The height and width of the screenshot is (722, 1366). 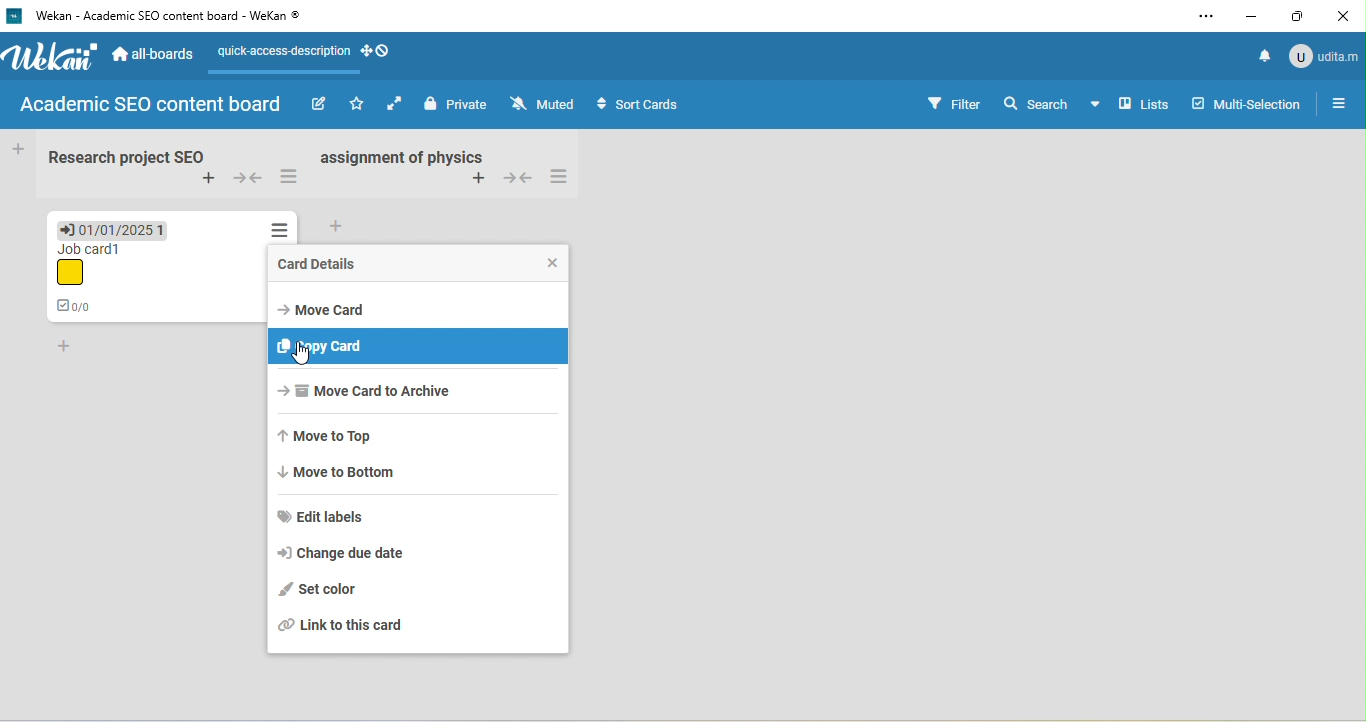 I want to click on 0/0, so click(x=81, y=307).